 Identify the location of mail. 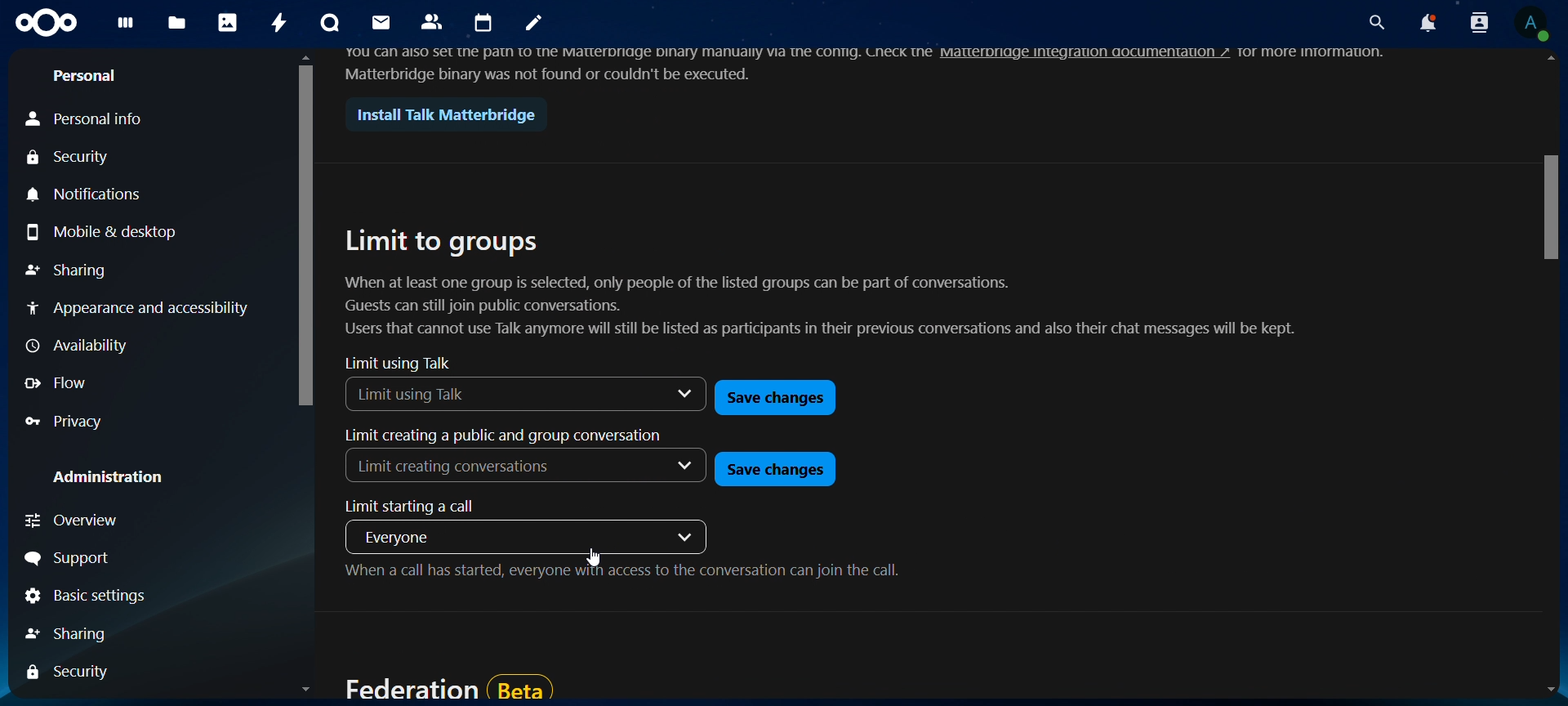
(382, 25).